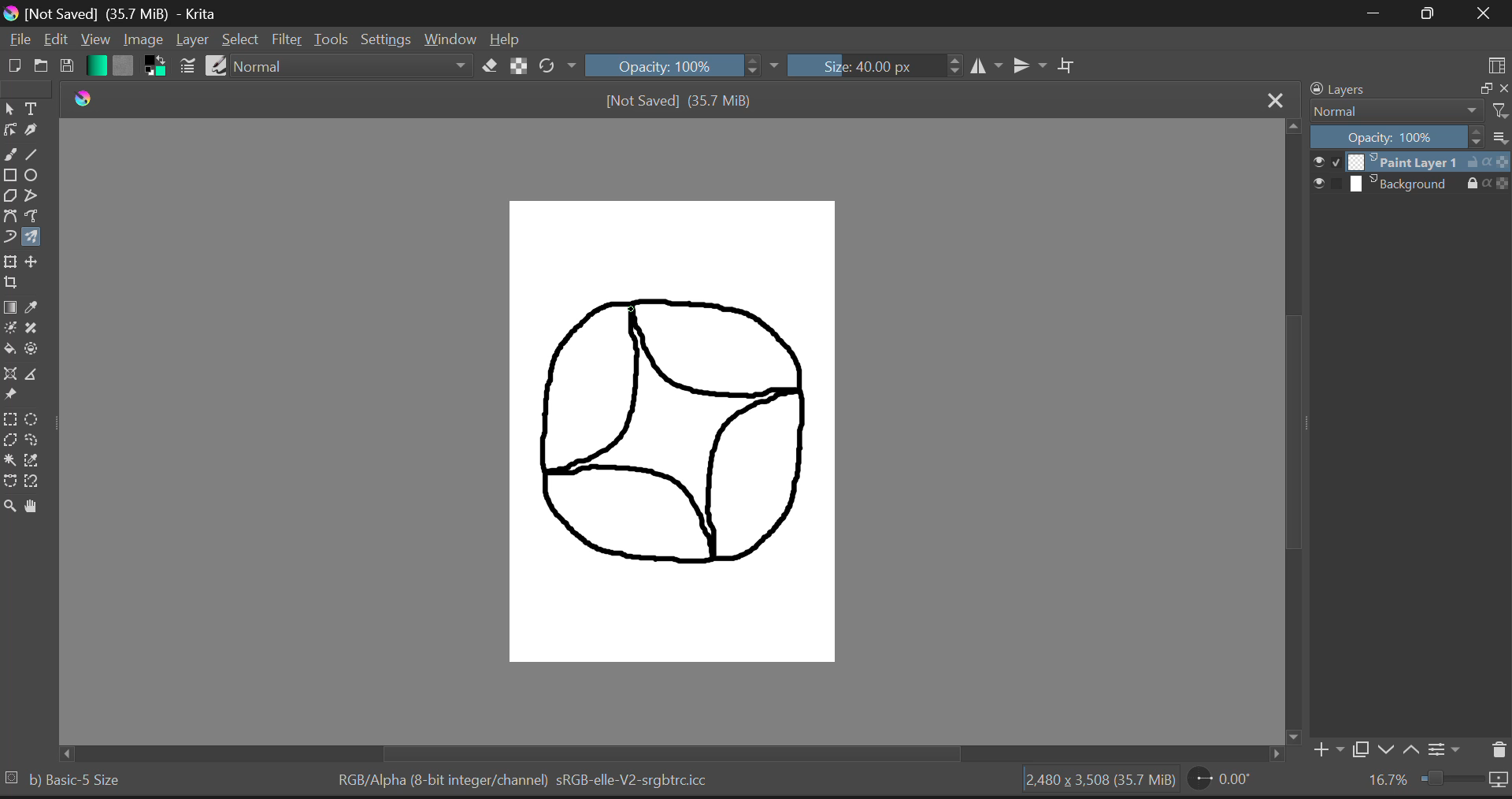 The width and height of the screenshot is (1512, 799). Describe the element at coordinates (675, 440) in the screenshot. I see `Mandala Design` at that location.